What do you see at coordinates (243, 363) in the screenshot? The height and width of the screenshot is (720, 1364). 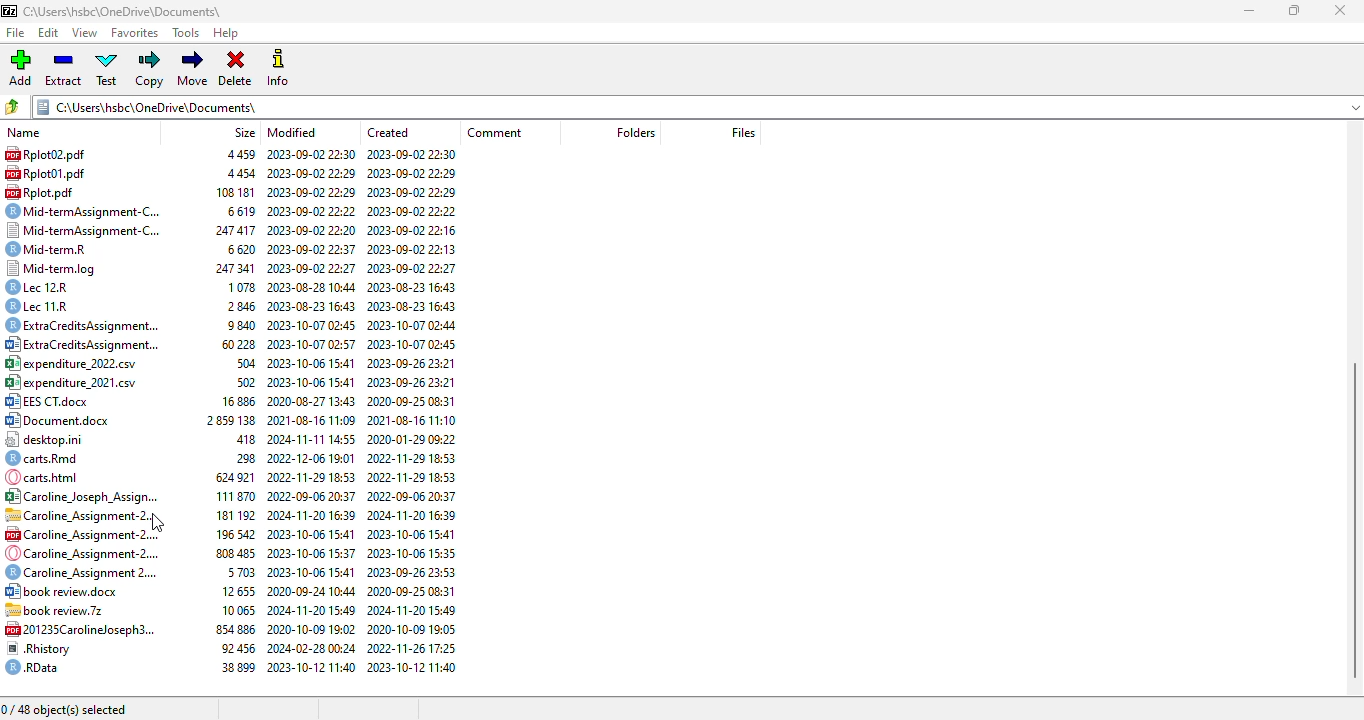 I see `504` at bounding box center [243, 363].